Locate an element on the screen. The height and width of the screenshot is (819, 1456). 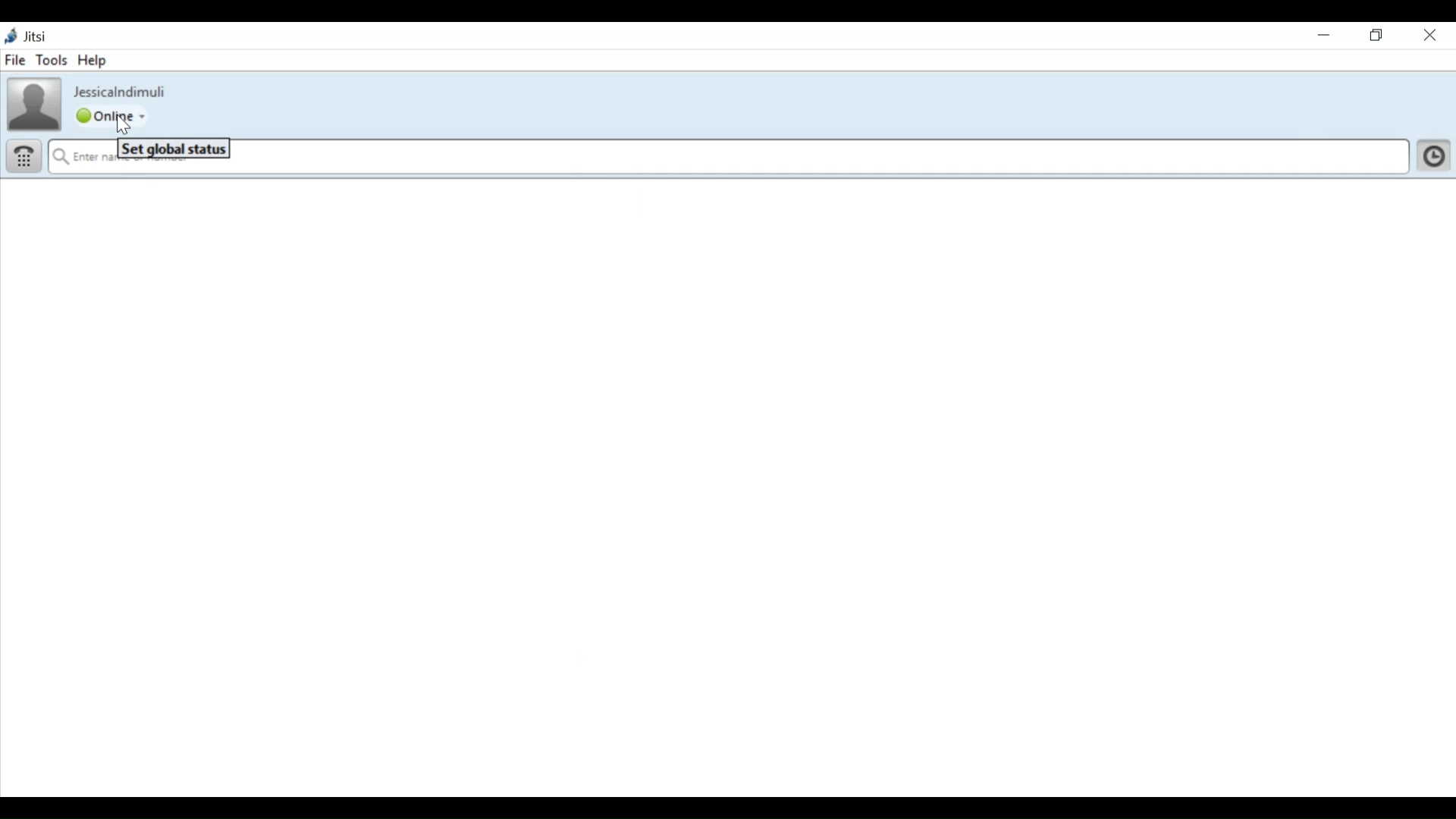
Profile Picture is located at coordinates (33, 103).